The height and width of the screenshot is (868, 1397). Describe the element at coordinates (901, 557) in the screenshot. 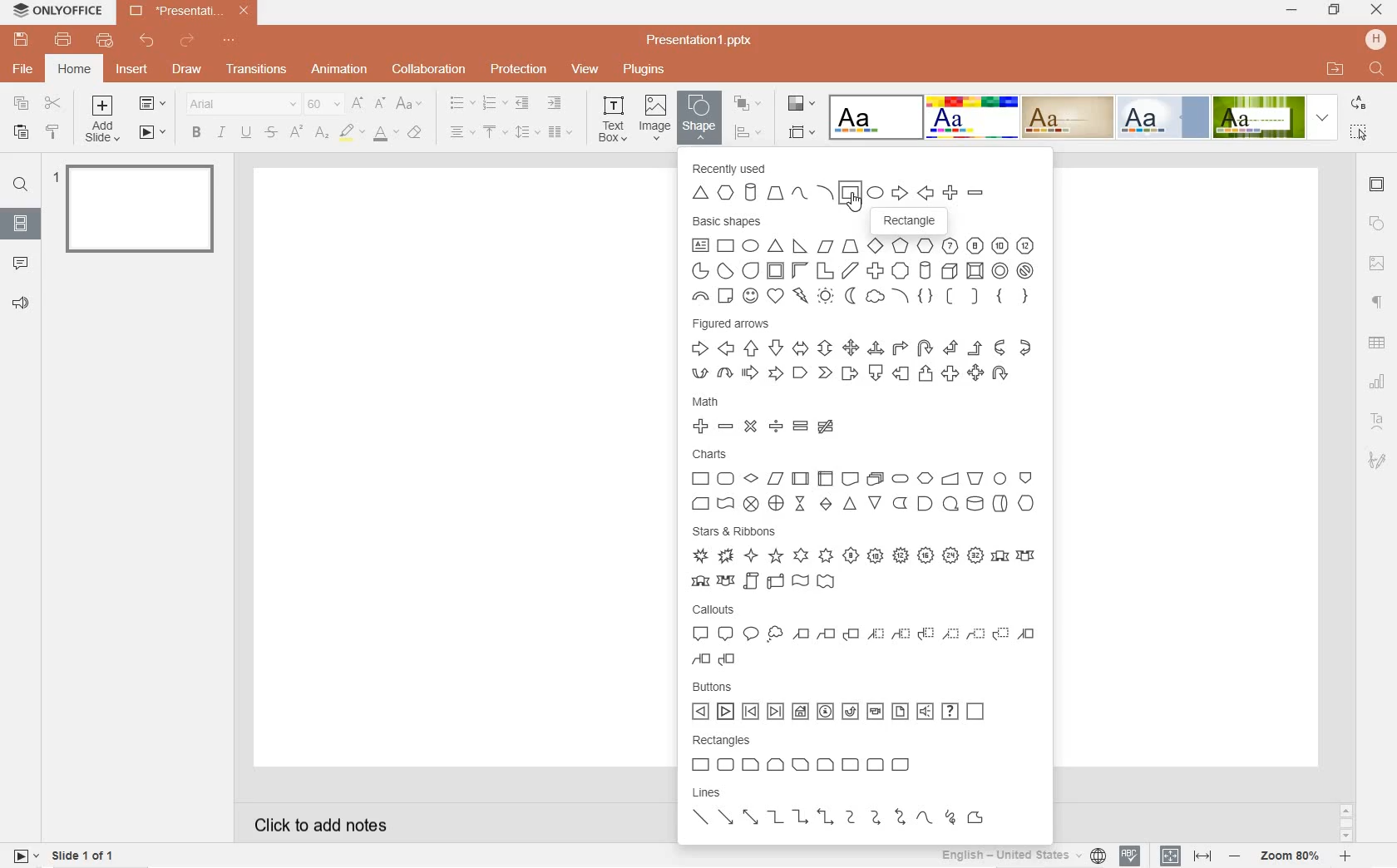

I see `12-point star` at that location.